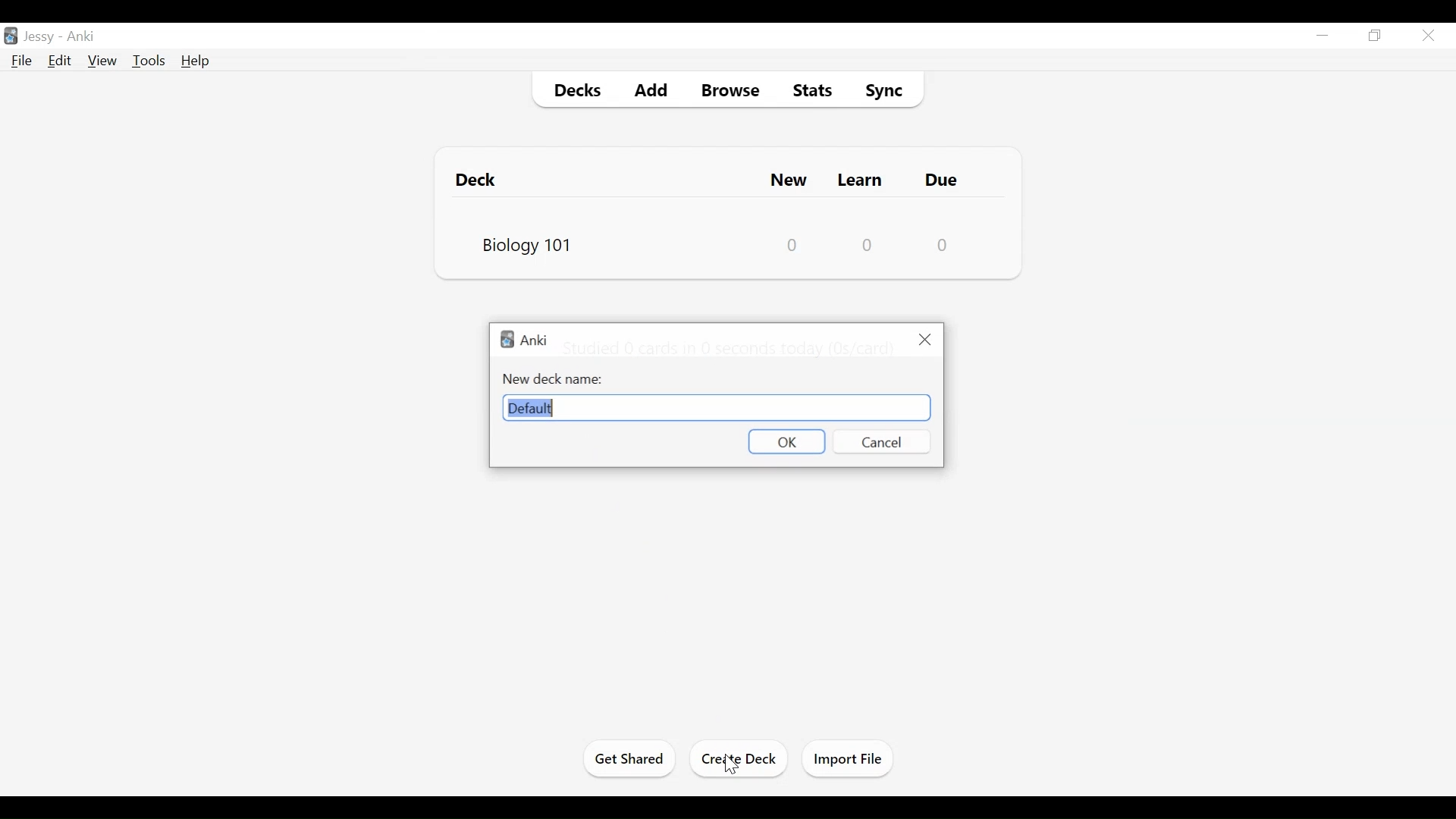 Image resolution: width=1456 pixels, height=819 pixels. Describe the element at coordinates (12, 36) in the screenshot. I see `Anki Desktop icon` at that location.